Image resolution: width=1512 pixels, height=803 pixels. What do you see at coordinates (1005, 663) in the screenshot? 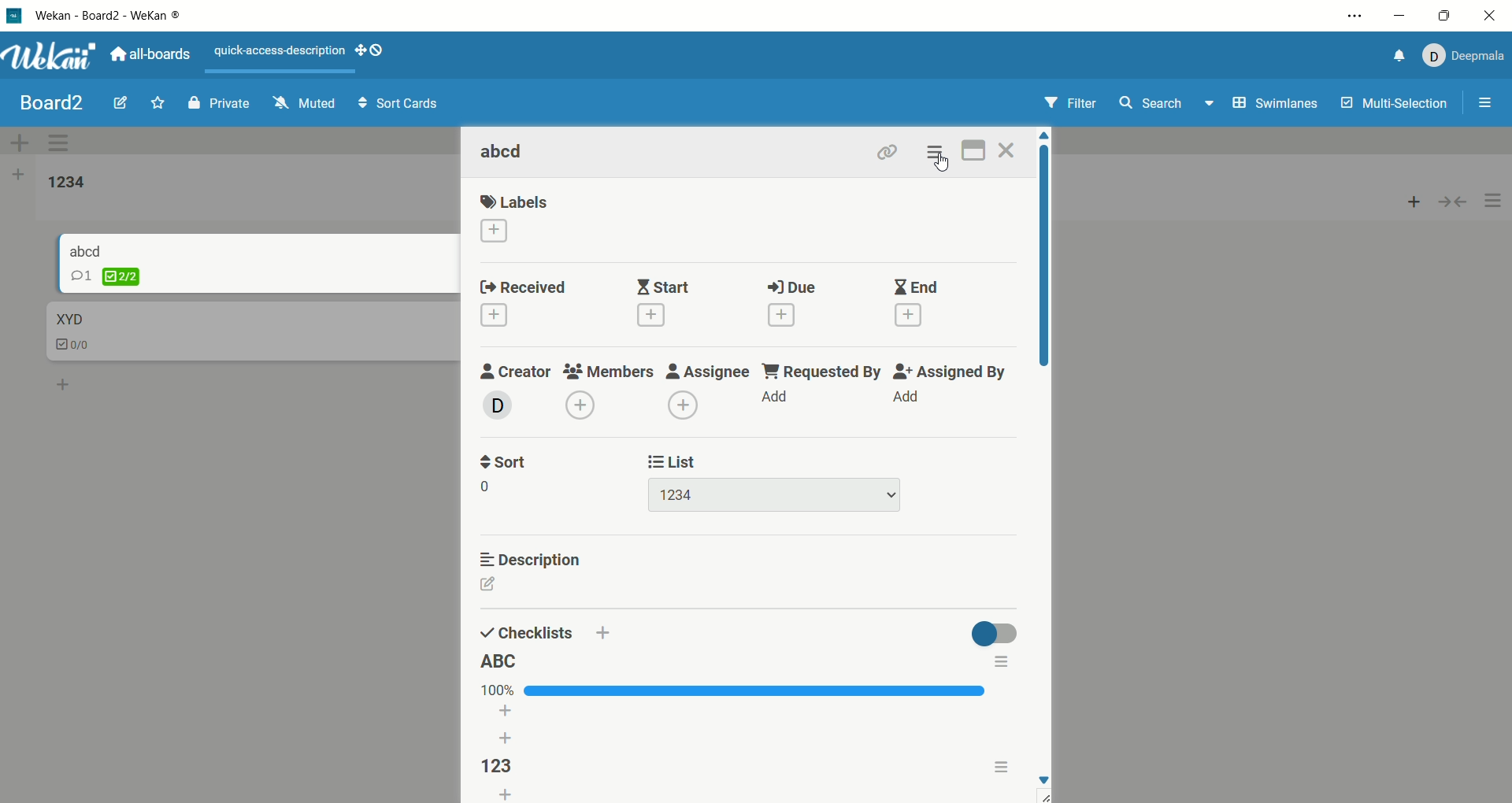
I see `options` at bounding box center [1005, 663].